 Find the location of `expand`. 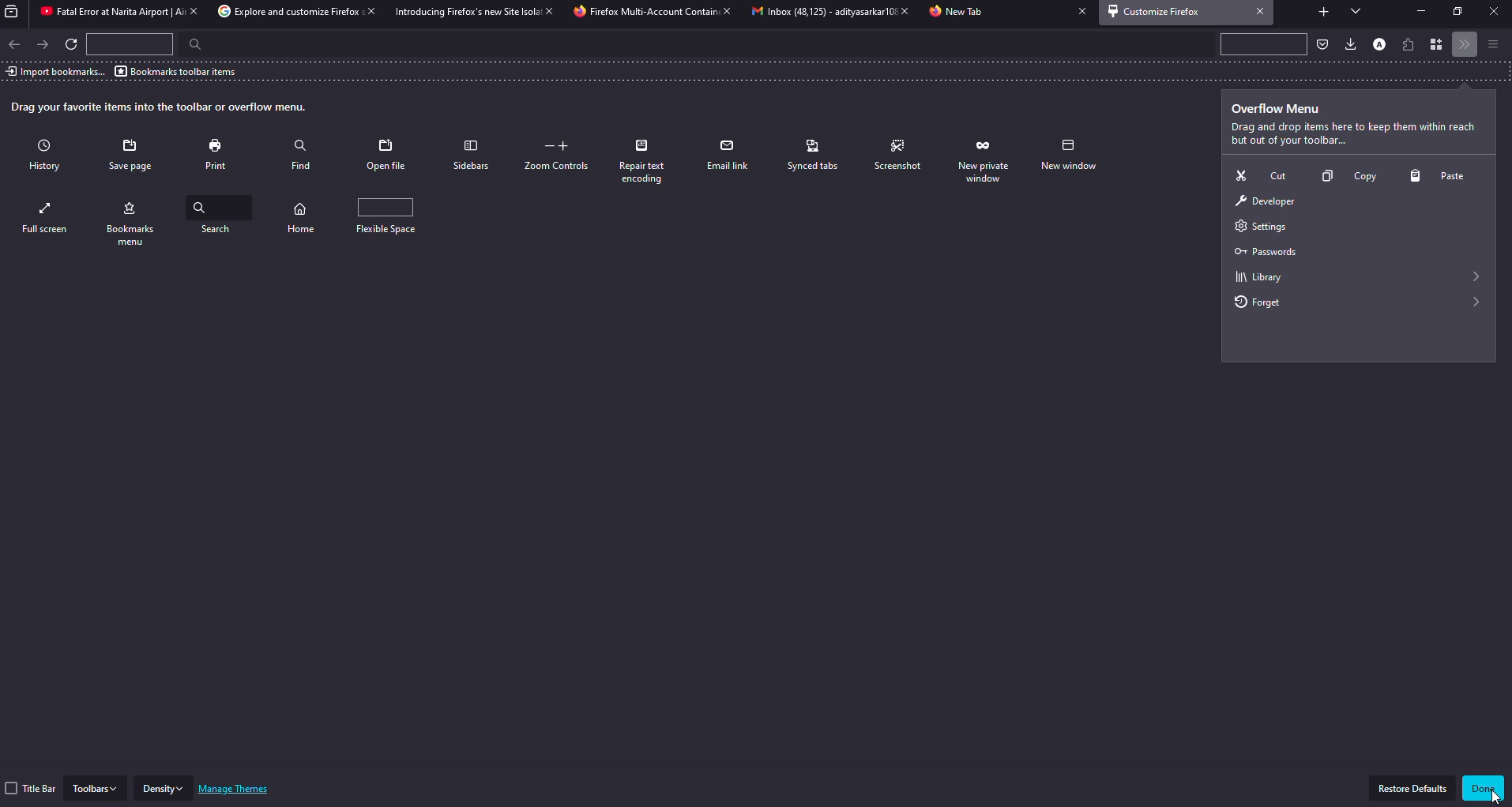

expand is located at coordinates (1477, 276).